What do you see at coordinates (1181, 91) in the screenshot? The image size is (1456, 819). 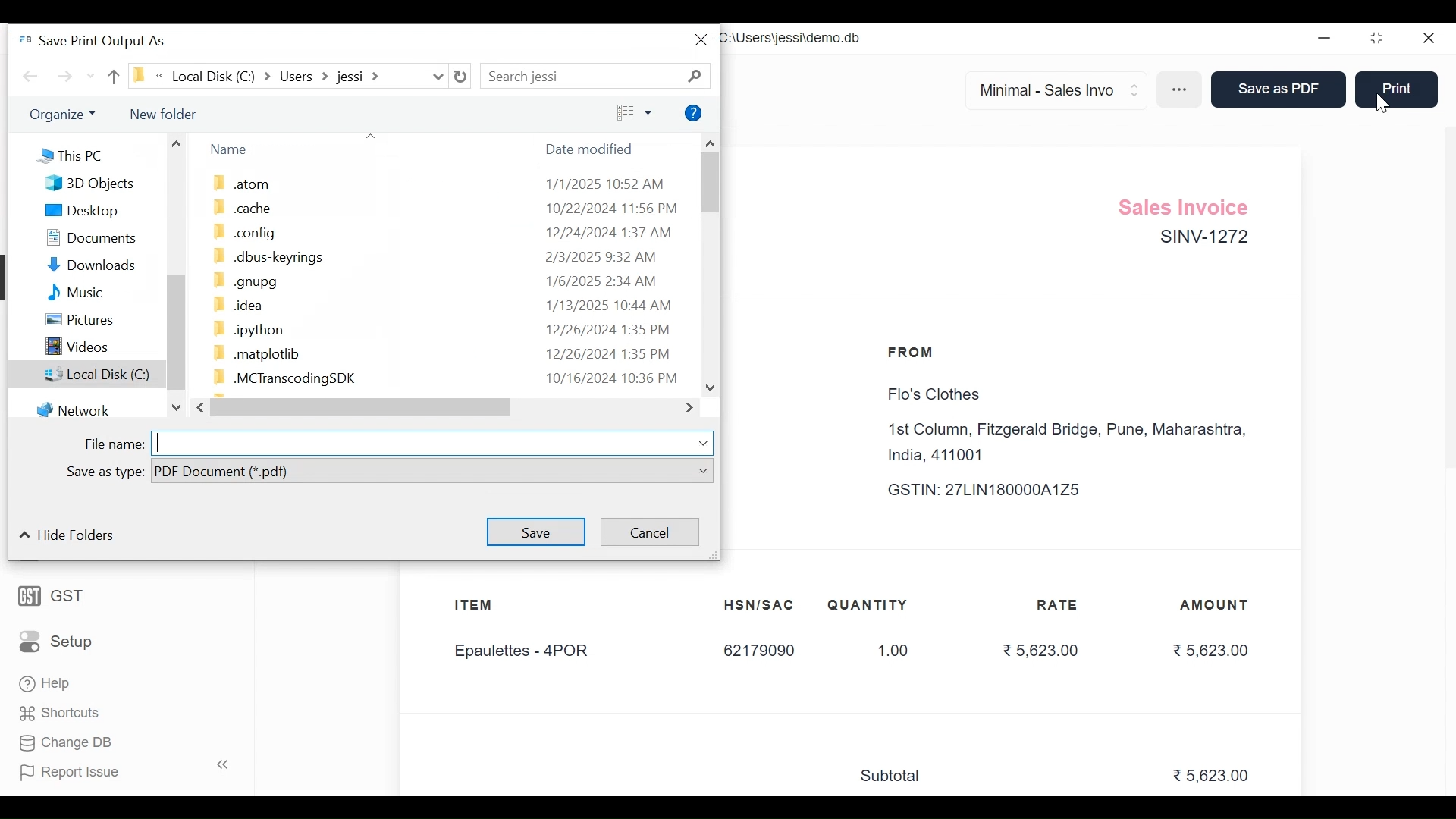 I see `More` at bounding box center [1181, 91].